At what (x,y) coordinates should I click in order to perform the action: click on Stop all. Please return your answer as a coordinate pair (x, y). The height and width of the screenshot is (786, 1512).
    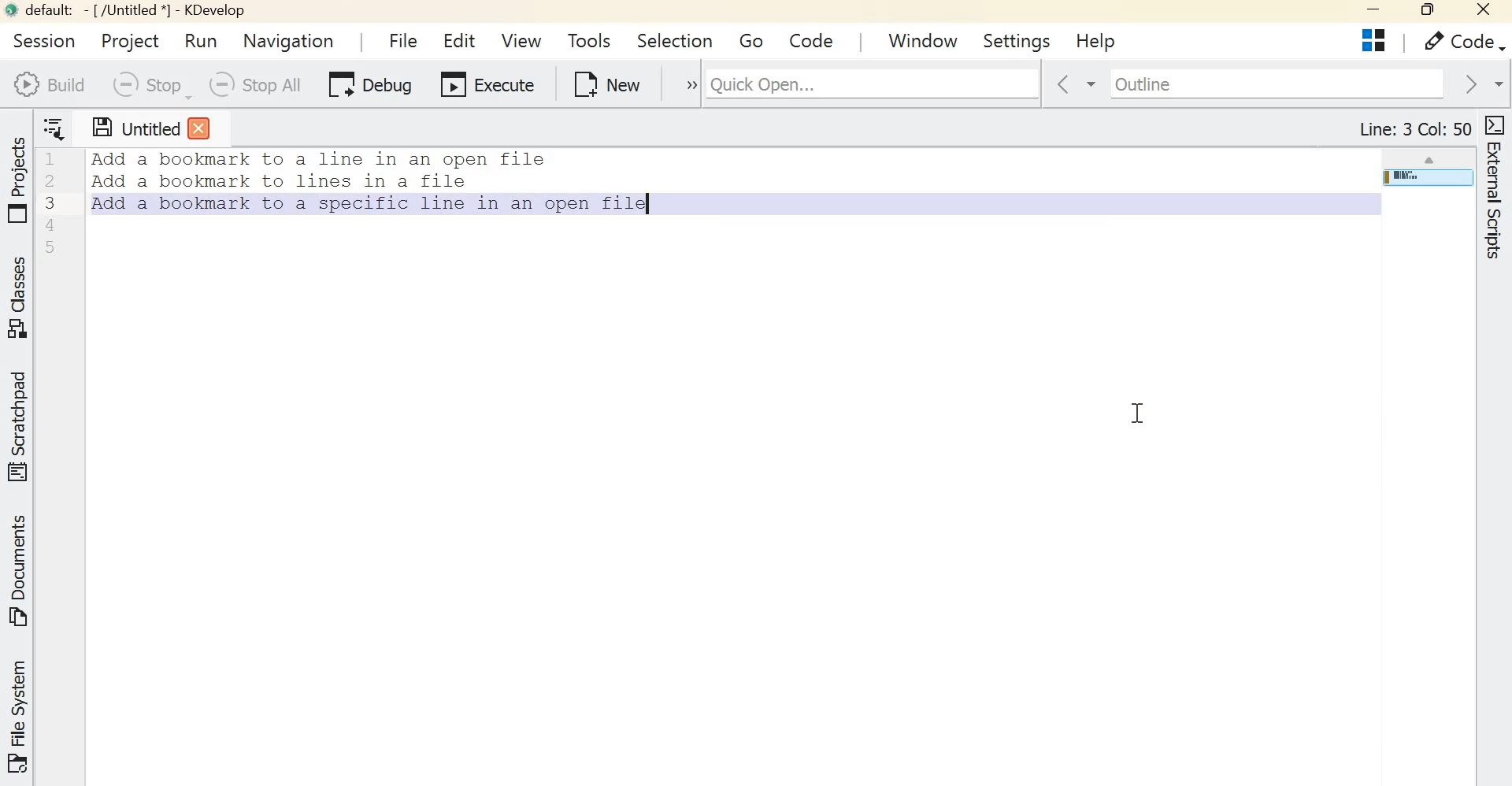
    Looking at the image, I should click on (258, 83).